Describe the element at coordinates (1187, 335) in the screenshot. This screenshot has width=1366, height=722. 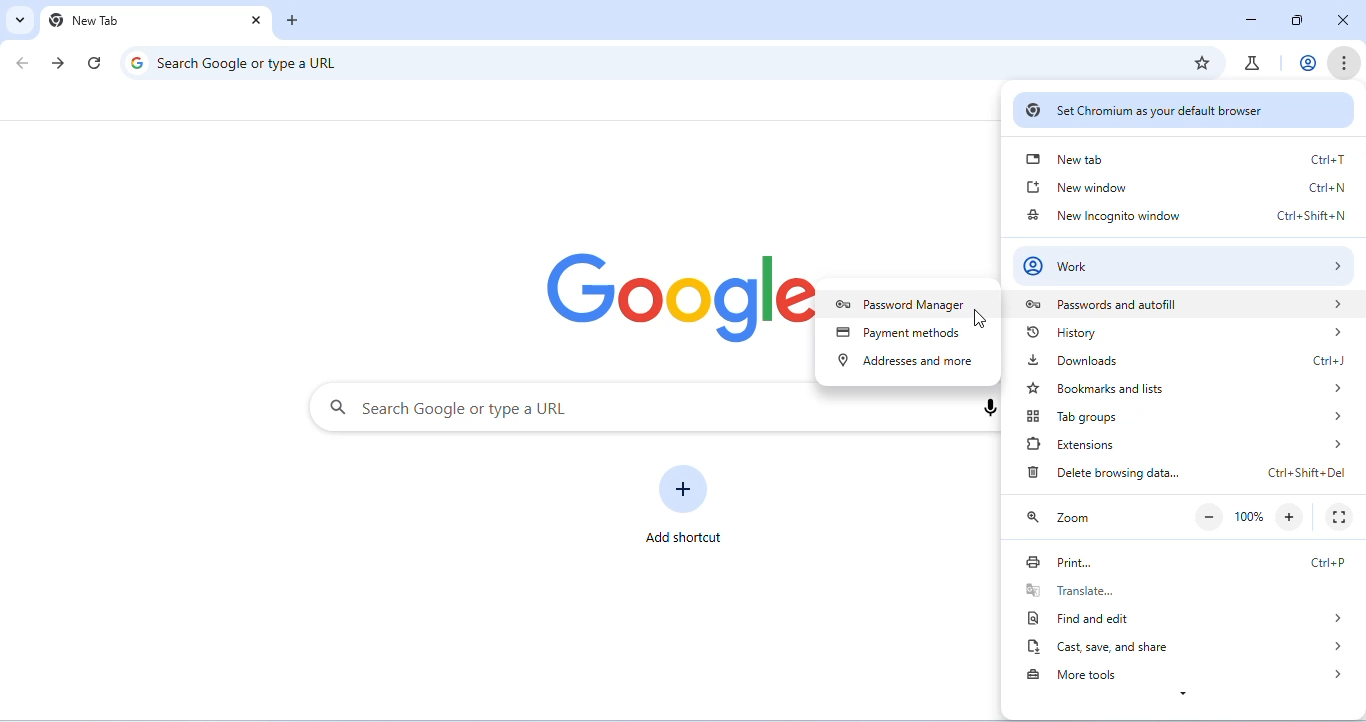
I see `history` at that location.